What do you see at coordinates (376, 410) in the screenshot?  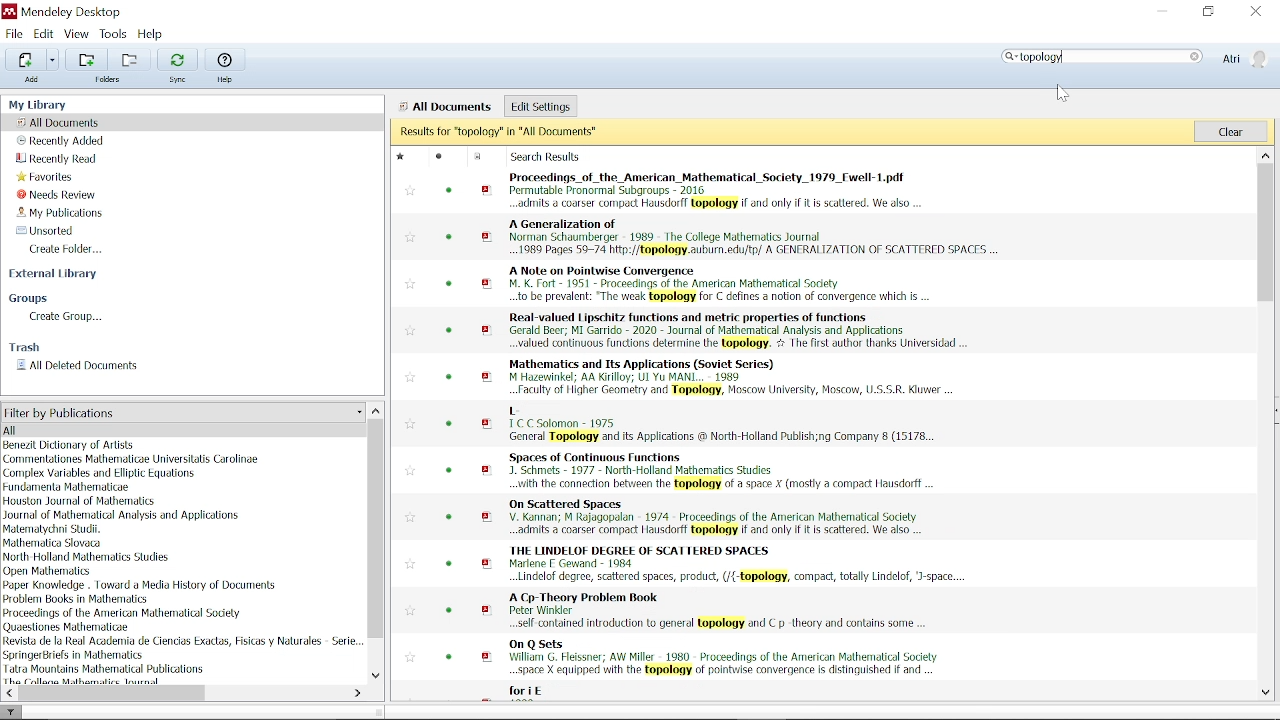 I see `Move up in filter by publication` at bounding box center [376, 410].